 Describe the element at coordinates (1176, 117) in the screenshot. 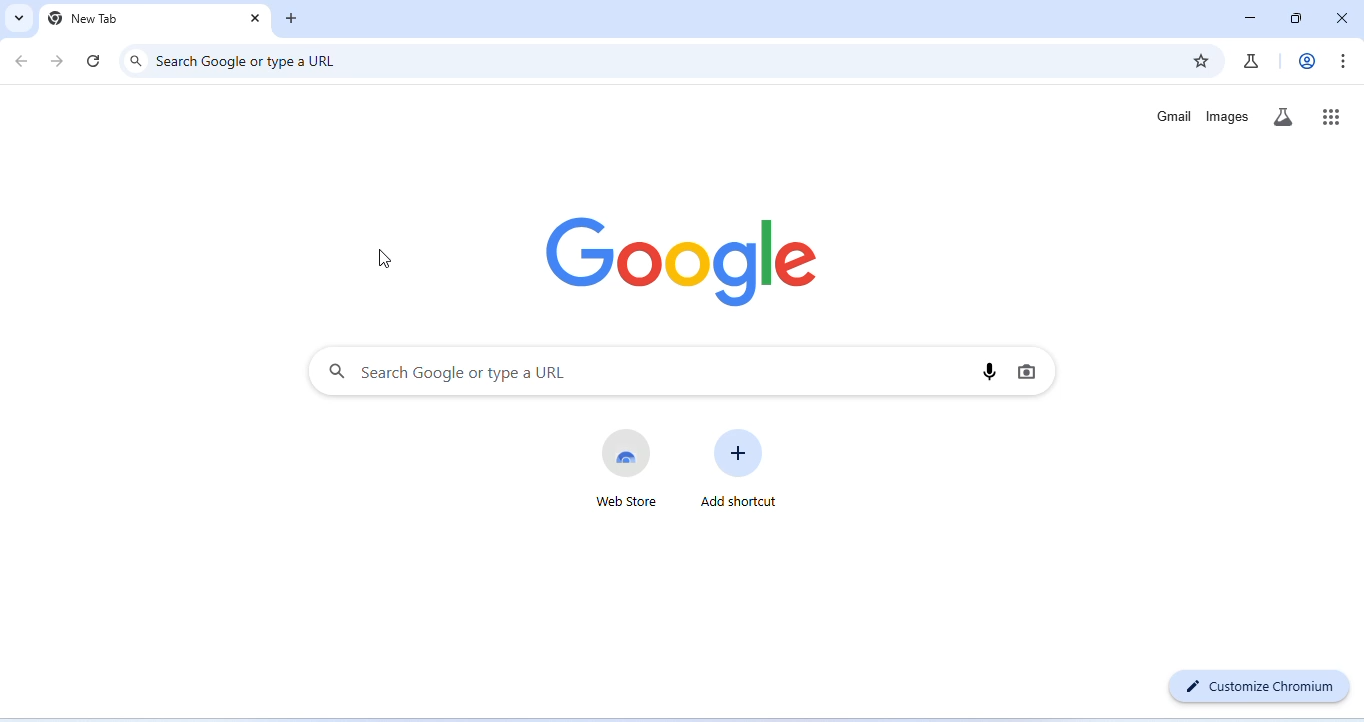

I see `gmail` at that location.